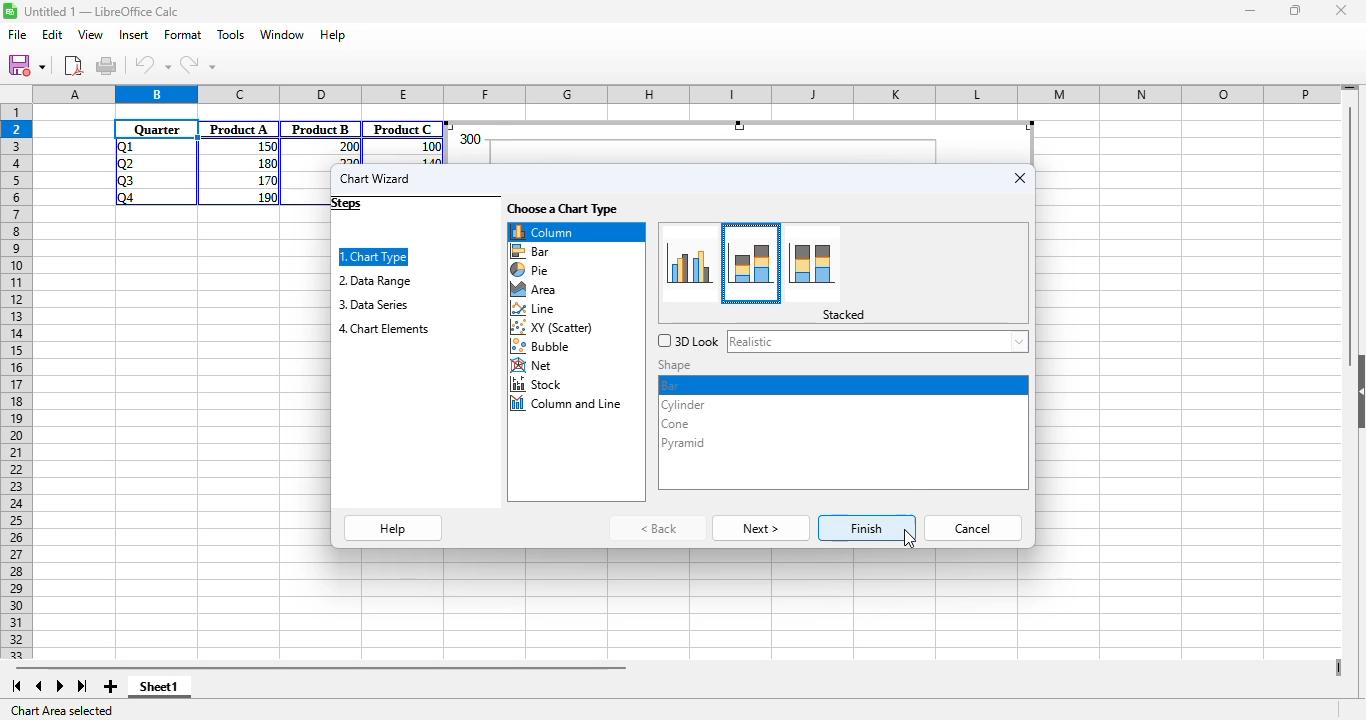 This screenshot has width=1366, height=720. What do you see at coordinates (844, 315) in the screenshot?
I see `stacked` at bounding box center [844, 315].